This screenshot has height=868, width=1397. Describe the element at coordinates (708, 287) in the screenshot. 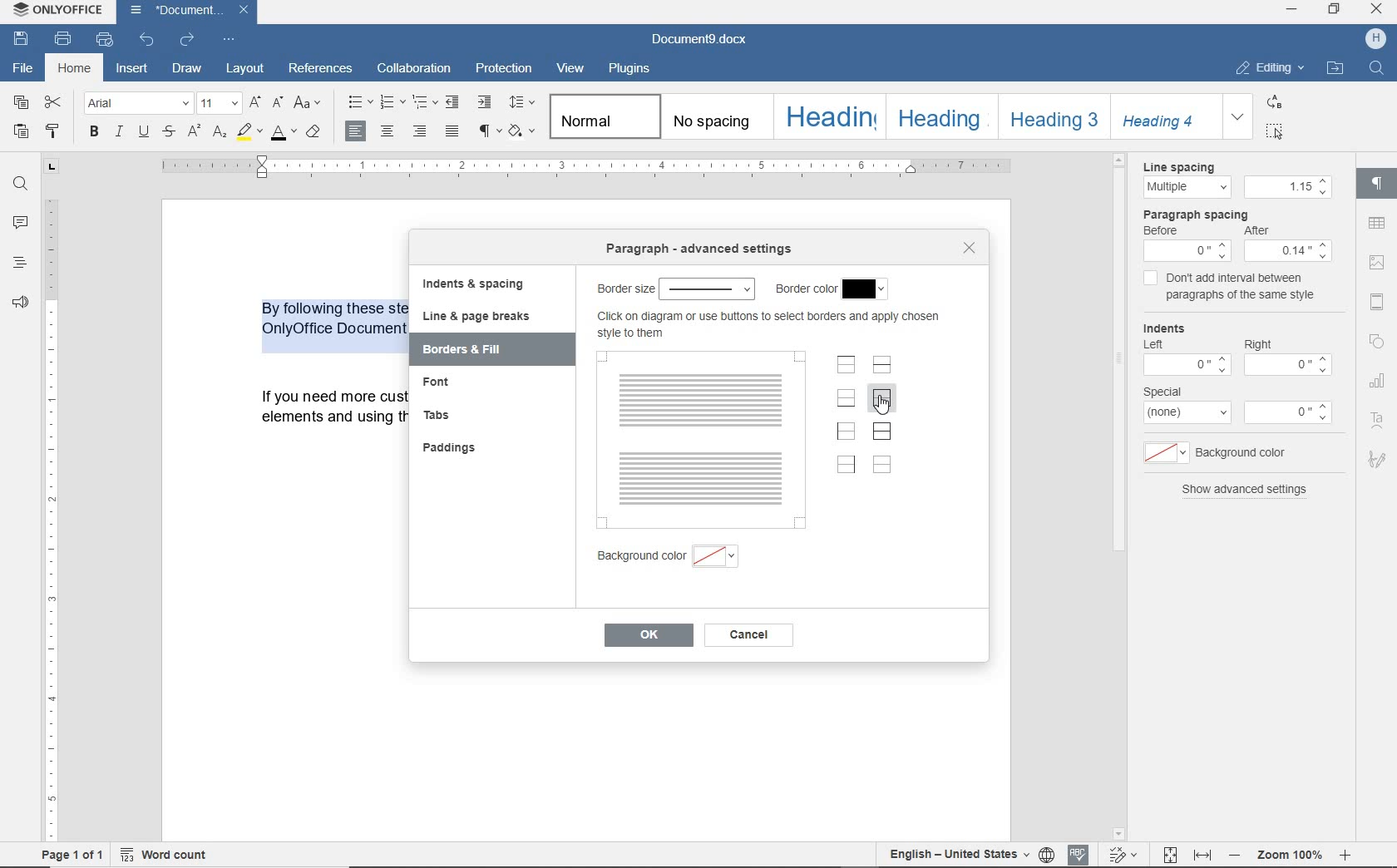

I see `select` at that location.